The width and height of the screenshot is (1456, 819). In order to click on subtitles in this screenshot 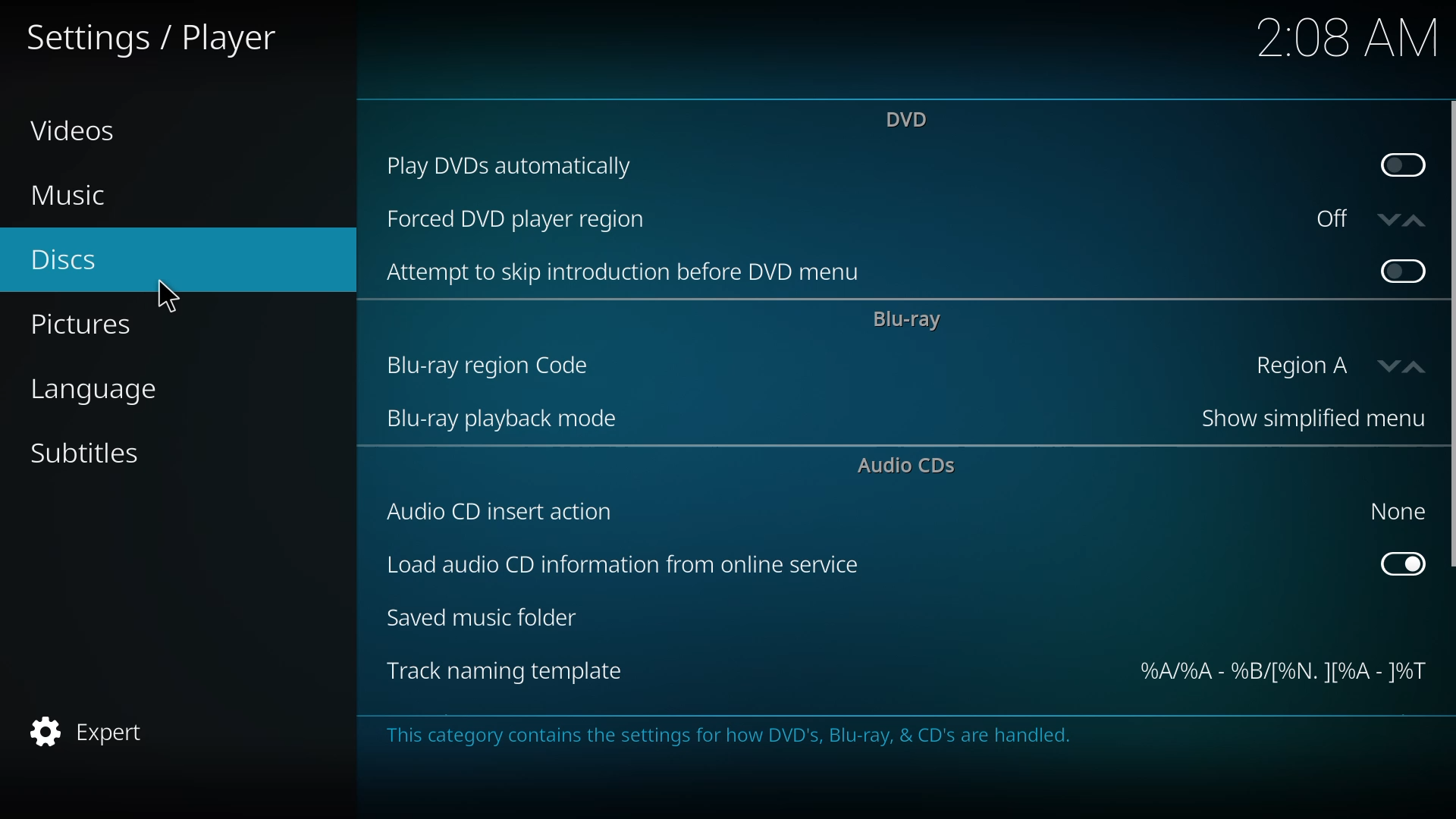, I will do `click(88, 453)`.